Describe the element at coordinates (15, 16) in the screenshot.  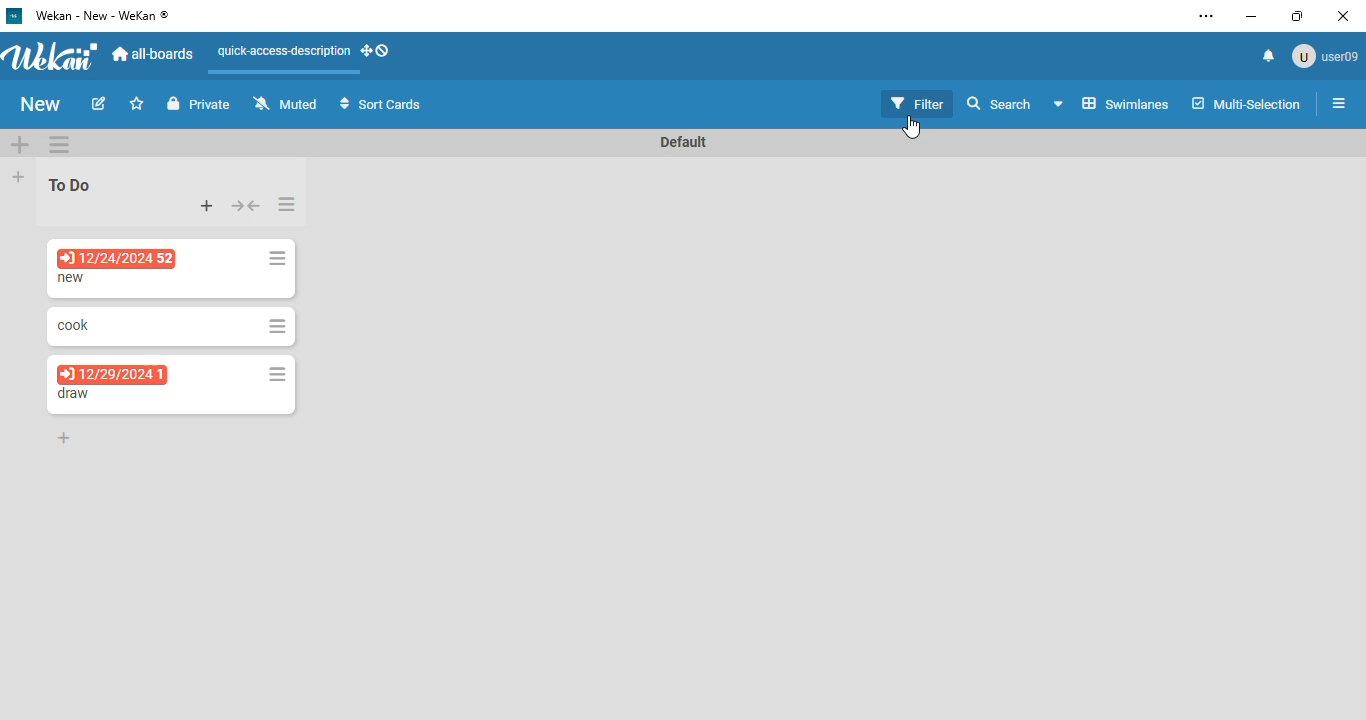
I see `logo` at that location.